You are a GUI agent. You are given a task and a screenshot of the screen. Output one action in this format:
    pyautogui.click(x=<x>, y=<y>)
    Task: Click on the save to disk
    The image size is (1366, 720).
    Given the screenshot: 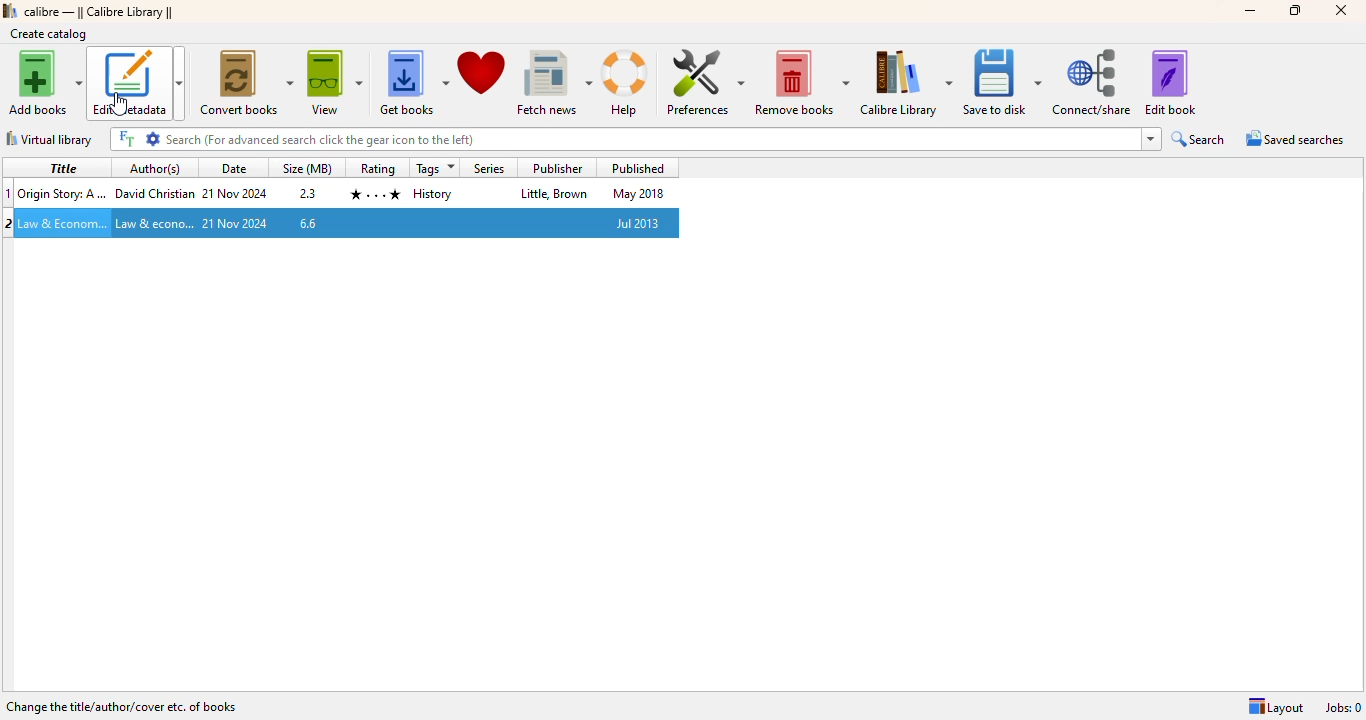 What is the action you would take?
    pyautogui.click(x=1002, y=81)
    